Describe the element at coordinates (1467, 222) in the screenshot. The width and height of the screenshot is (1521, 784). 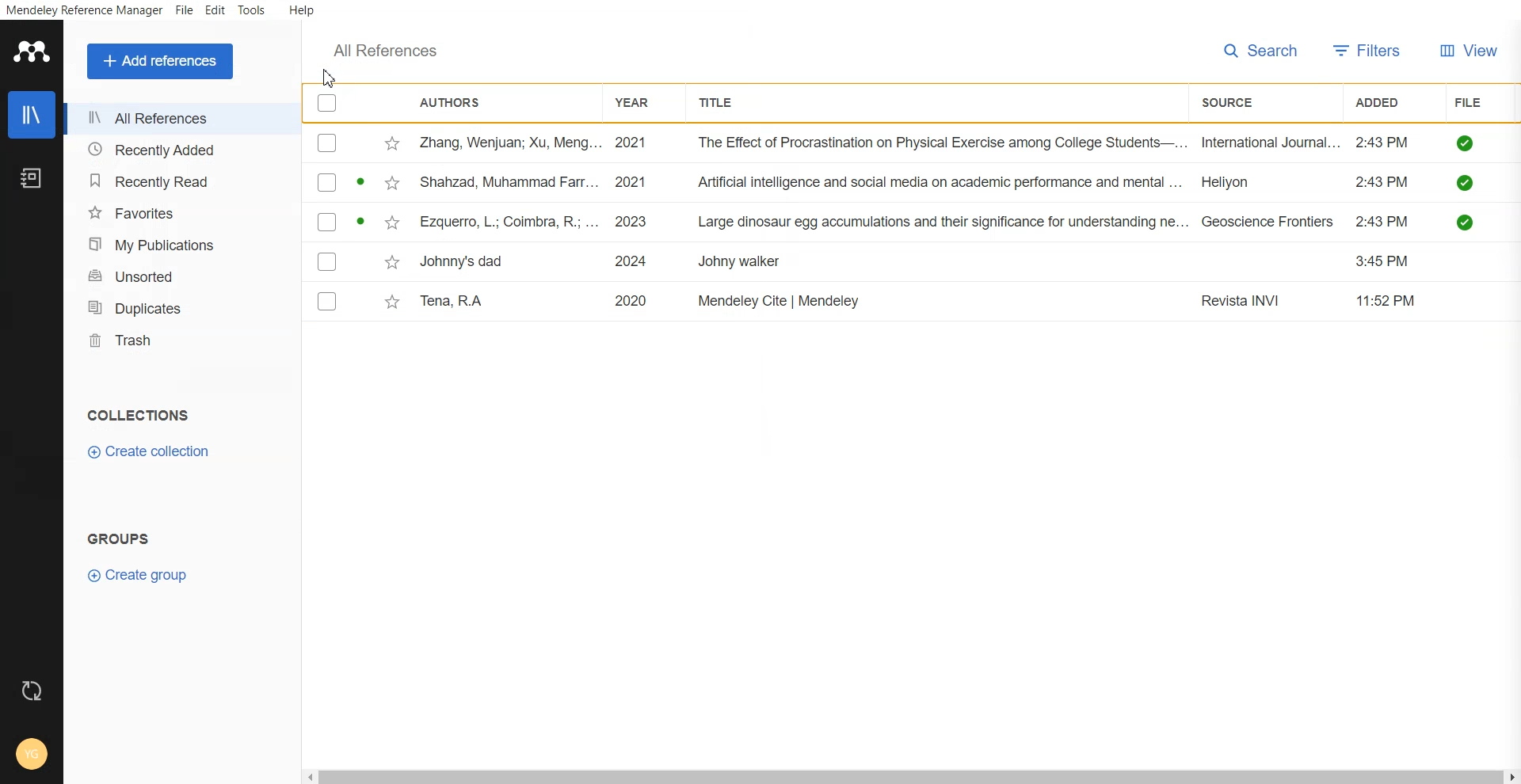
I see `saved` at that location.